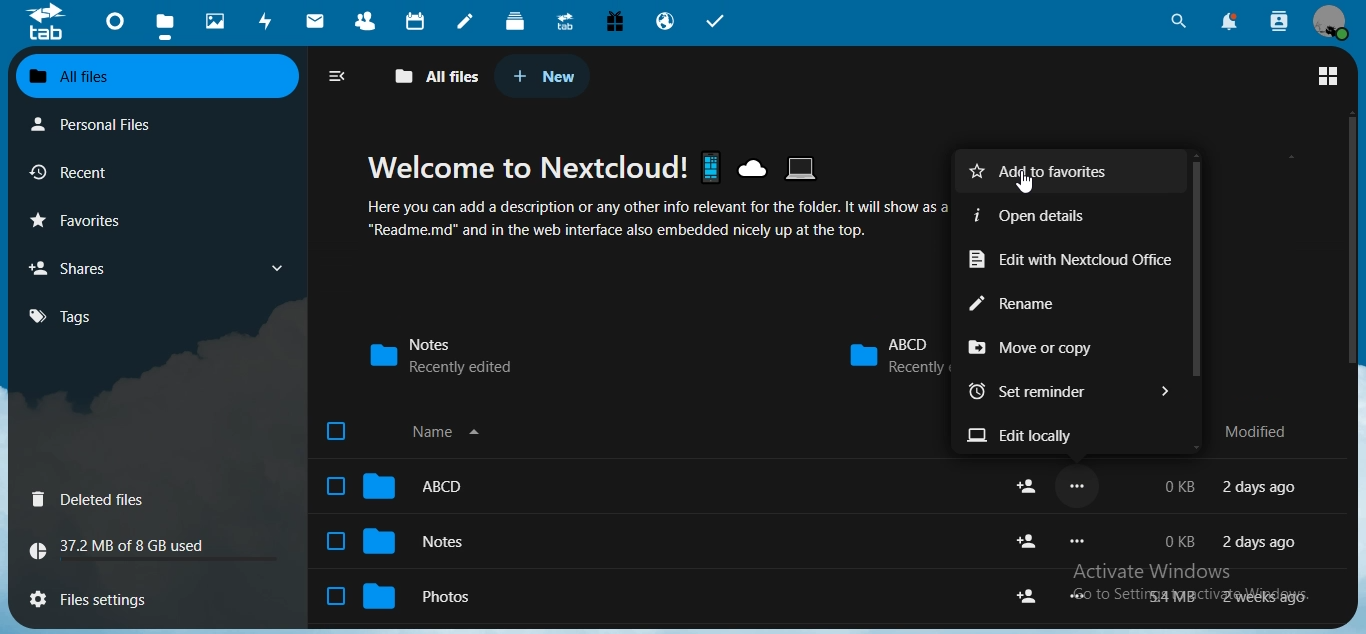 This screenshot has height=634, width=1366. I want to click on Mouse Cursor, so click(1024, 181).